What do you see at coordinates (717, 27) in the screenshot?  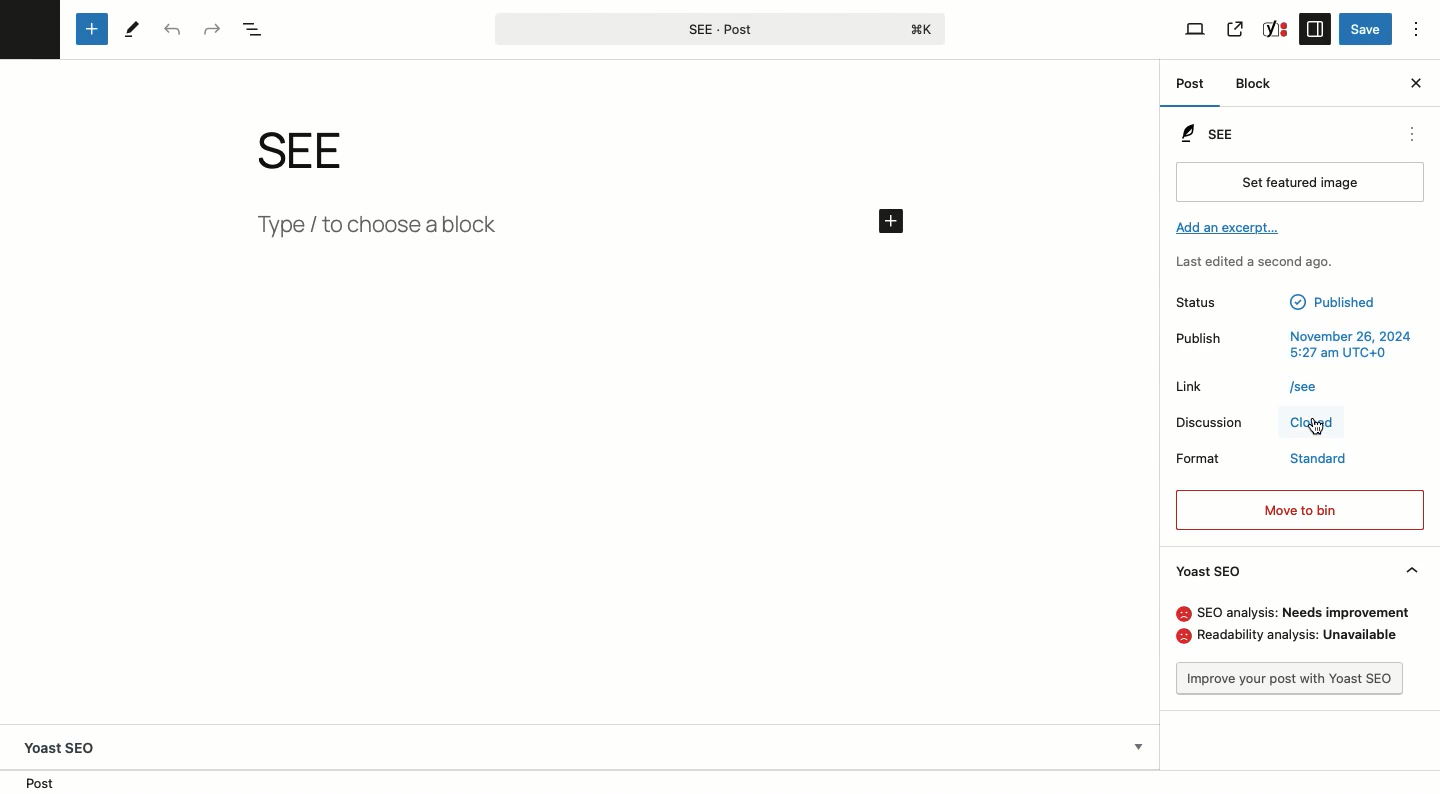 I see `SEE-Post` at bounding box center [717, 27].